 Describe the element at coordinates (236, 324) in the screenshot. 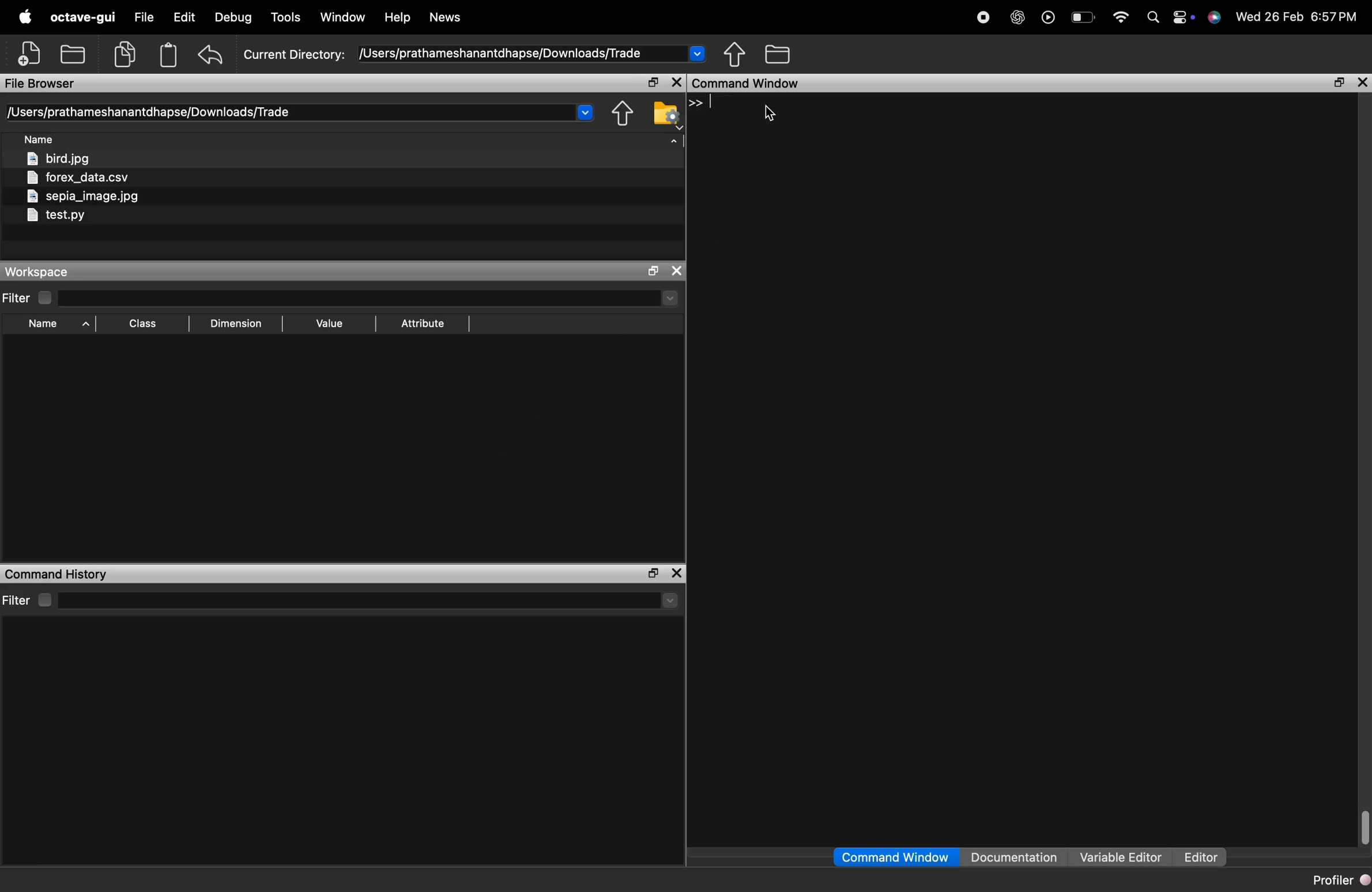

I see `sort by dimension` at that location.